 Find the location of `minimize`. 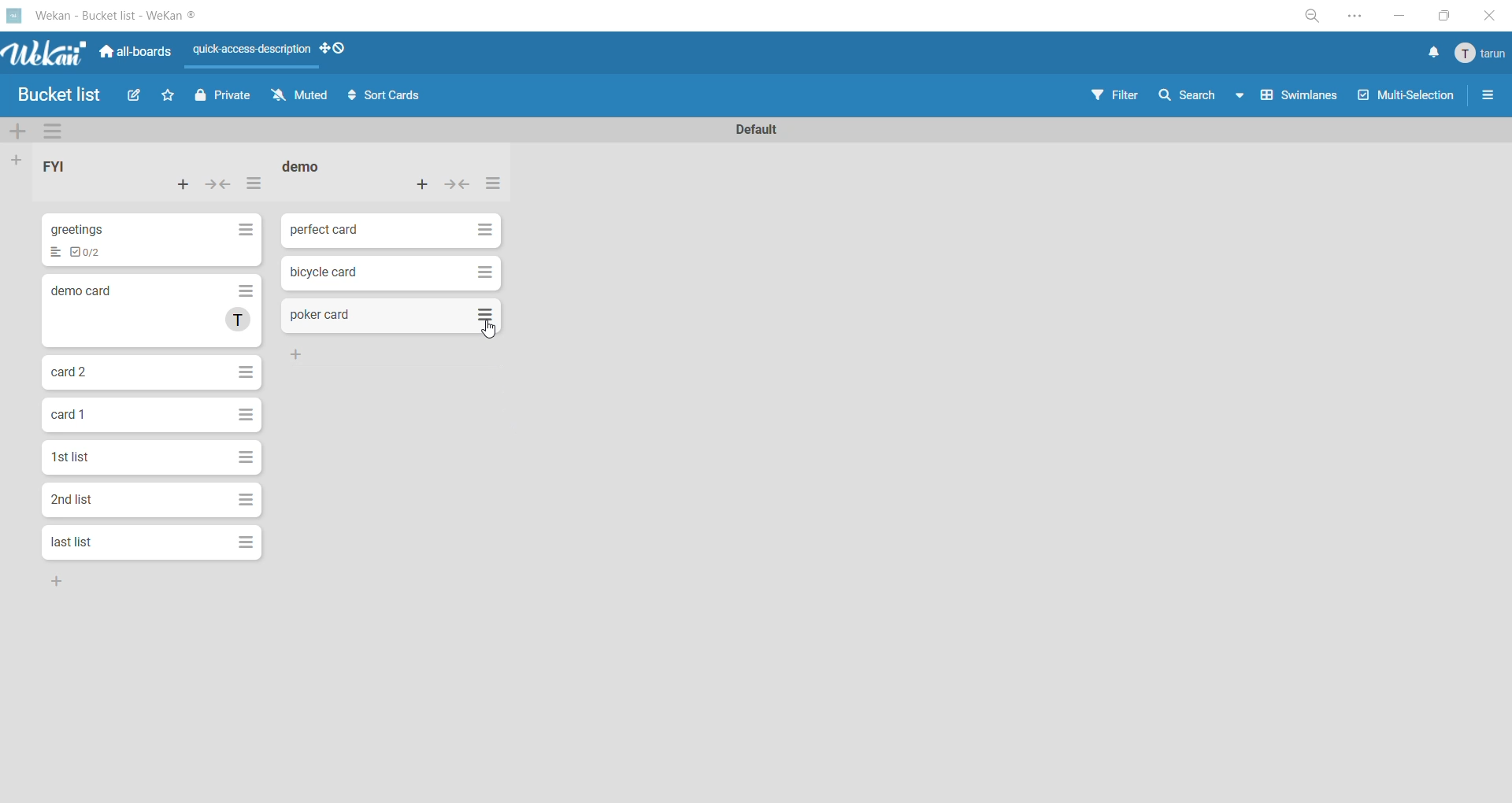

minimize is located at coordinates (1395, 16).